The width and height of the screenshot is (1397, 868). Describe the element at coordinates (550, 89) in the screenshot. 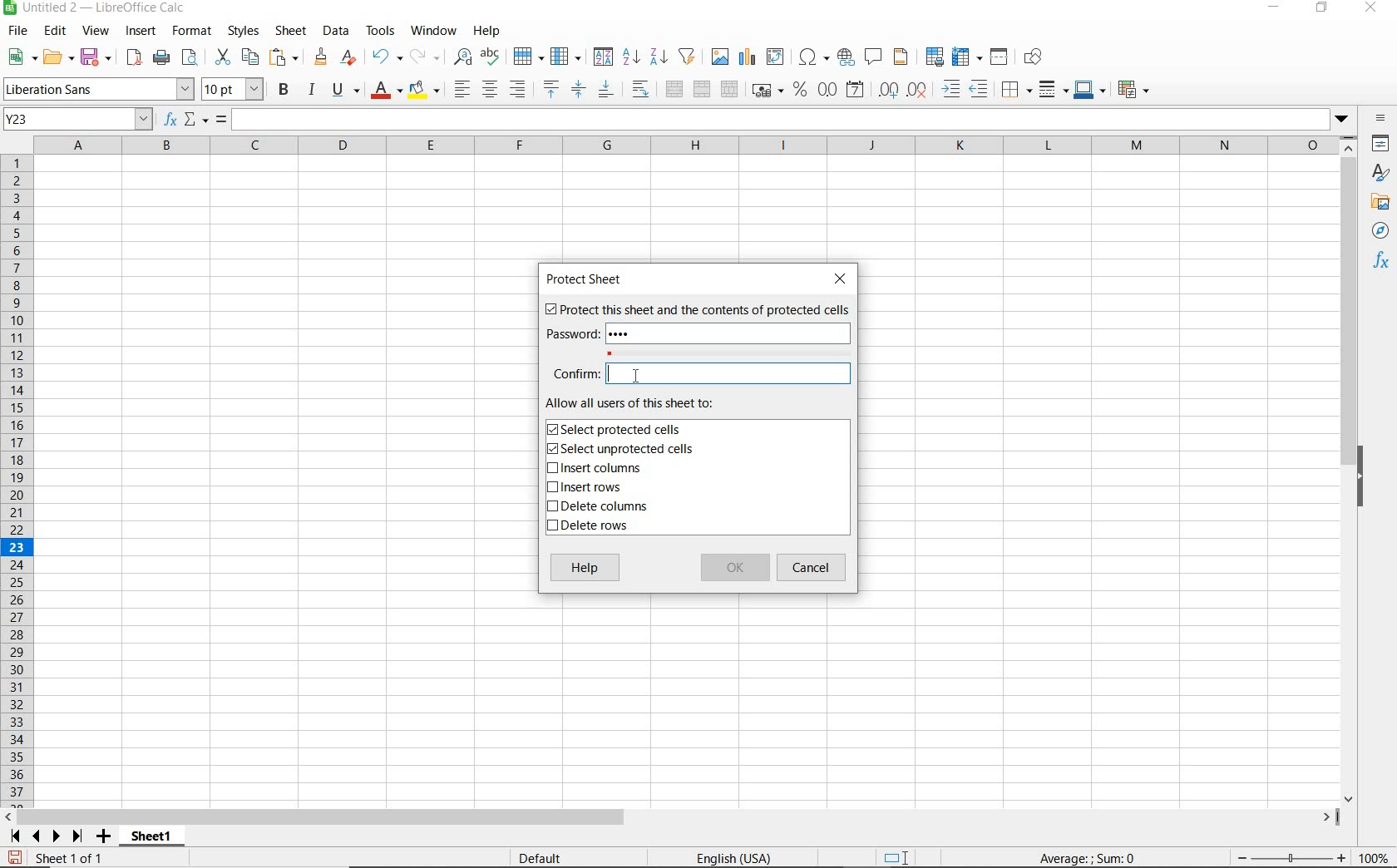

I see `ALIGN TOP` at that location.